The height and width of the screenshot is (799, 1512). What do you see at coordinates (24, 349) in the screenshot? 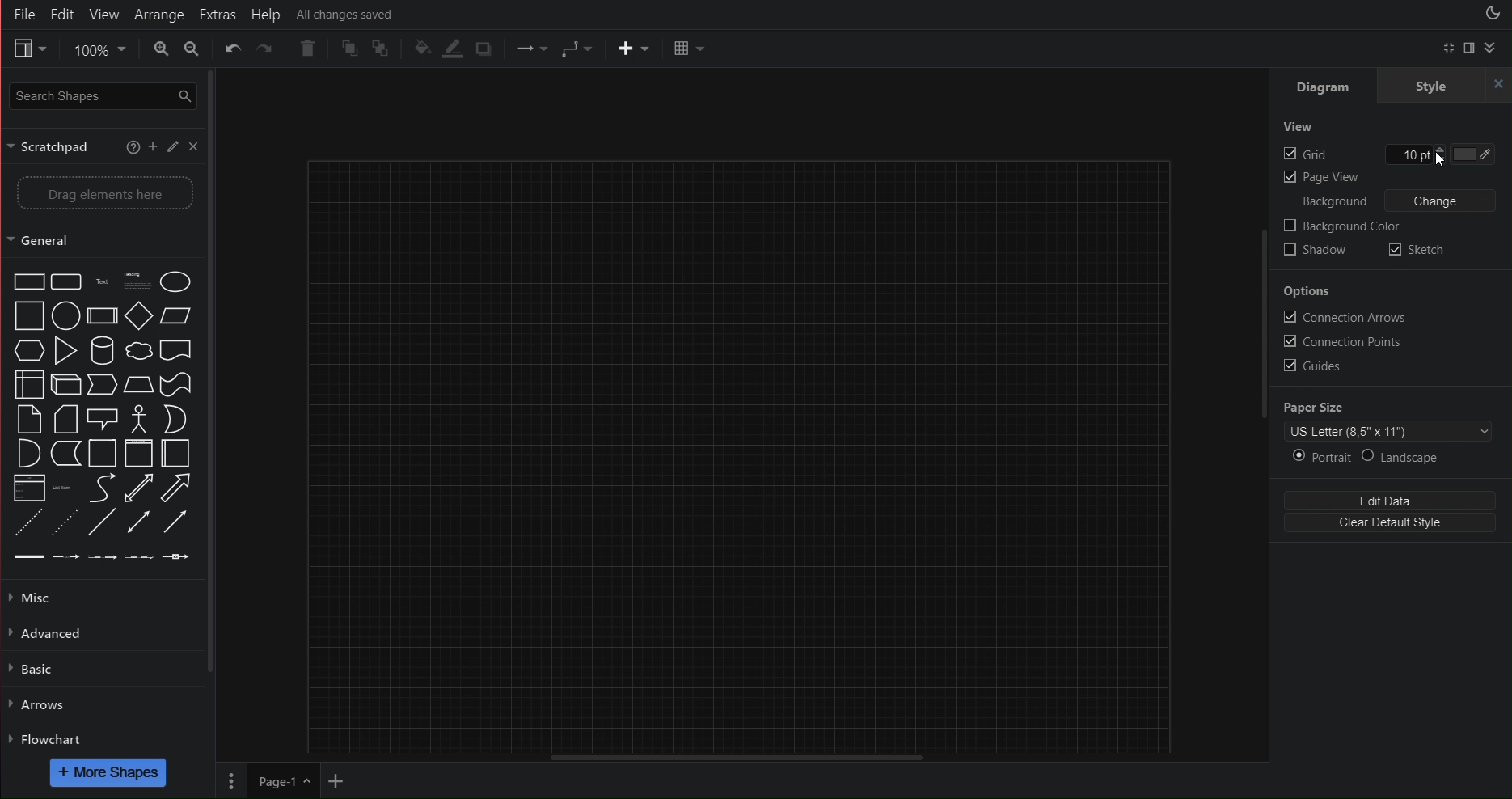
I see `hexagon` at bounding box center [24, 349].